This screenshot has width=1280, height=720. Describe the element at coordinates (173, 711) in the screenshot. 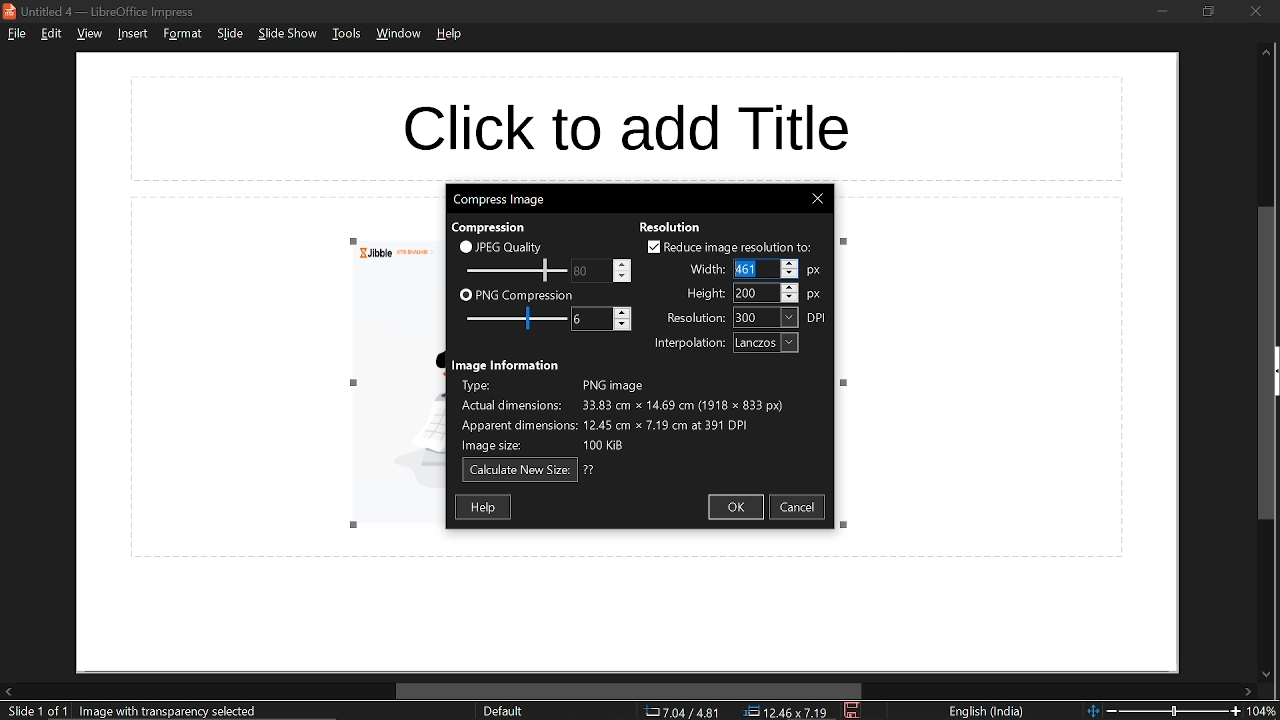

I see `selected image` at that location.